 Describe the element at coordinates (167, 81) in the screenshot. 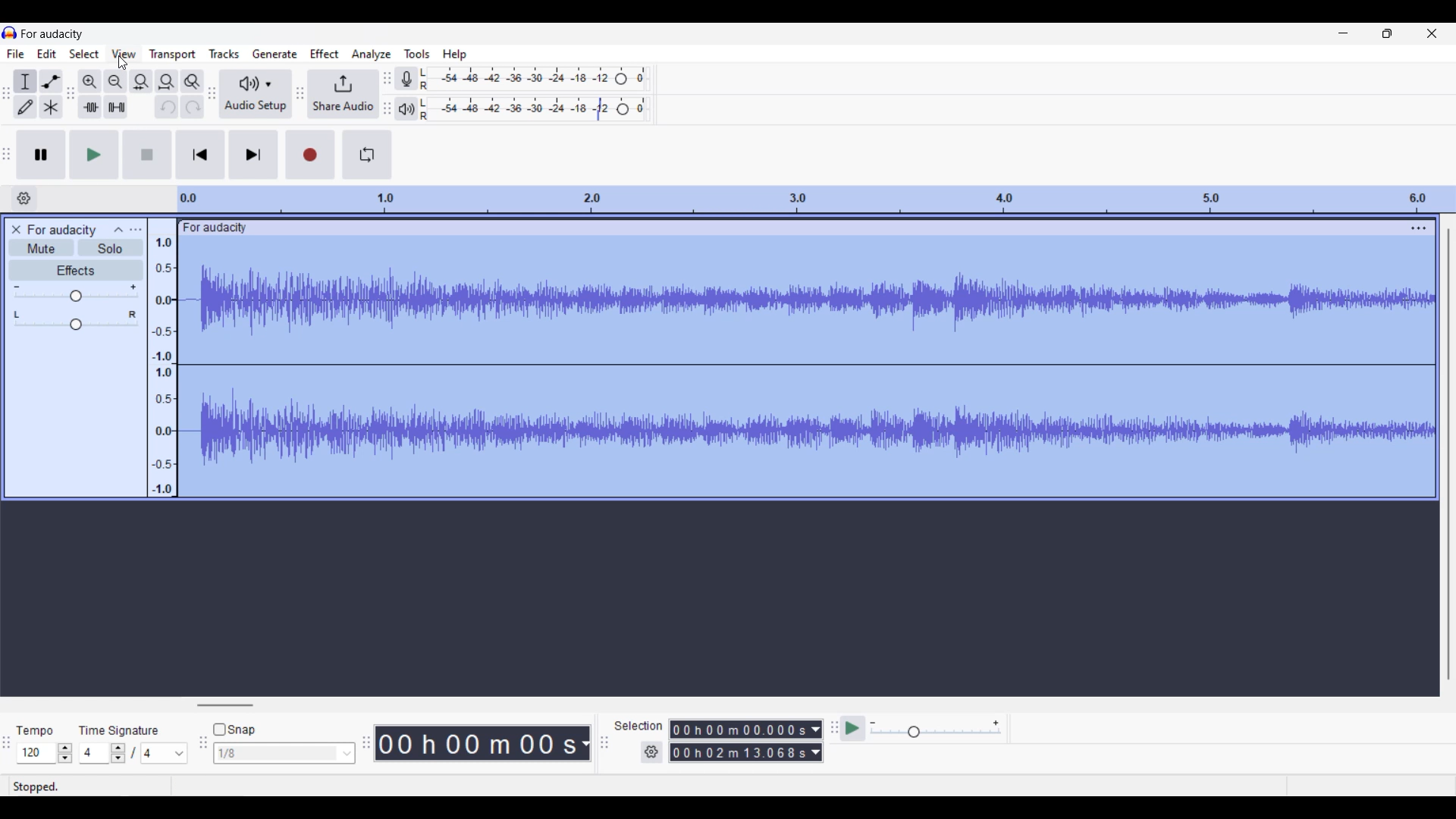

I see `Fit project to width` at that location.